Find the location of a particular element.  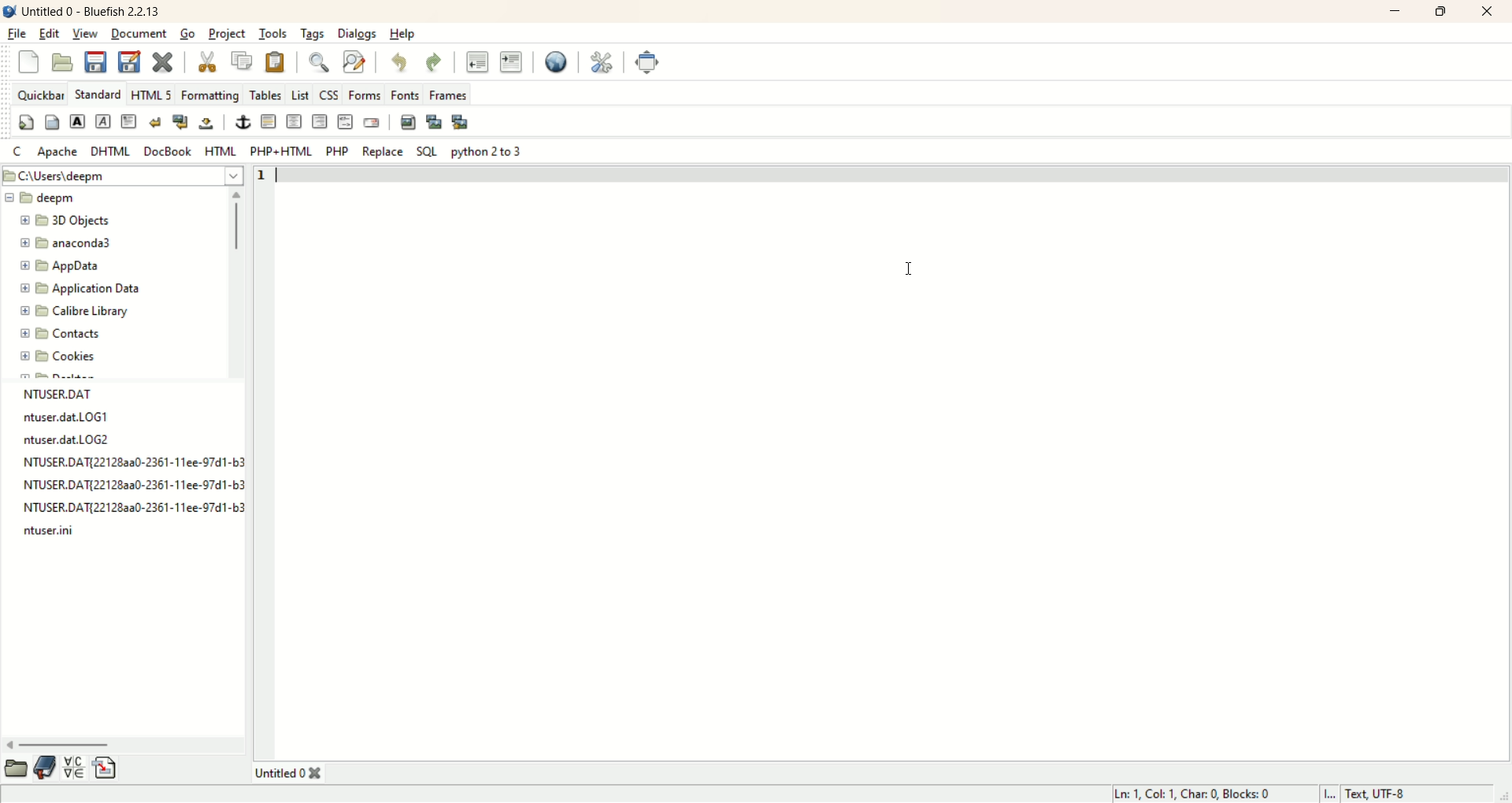

file name is located at coordinates (54, 531).